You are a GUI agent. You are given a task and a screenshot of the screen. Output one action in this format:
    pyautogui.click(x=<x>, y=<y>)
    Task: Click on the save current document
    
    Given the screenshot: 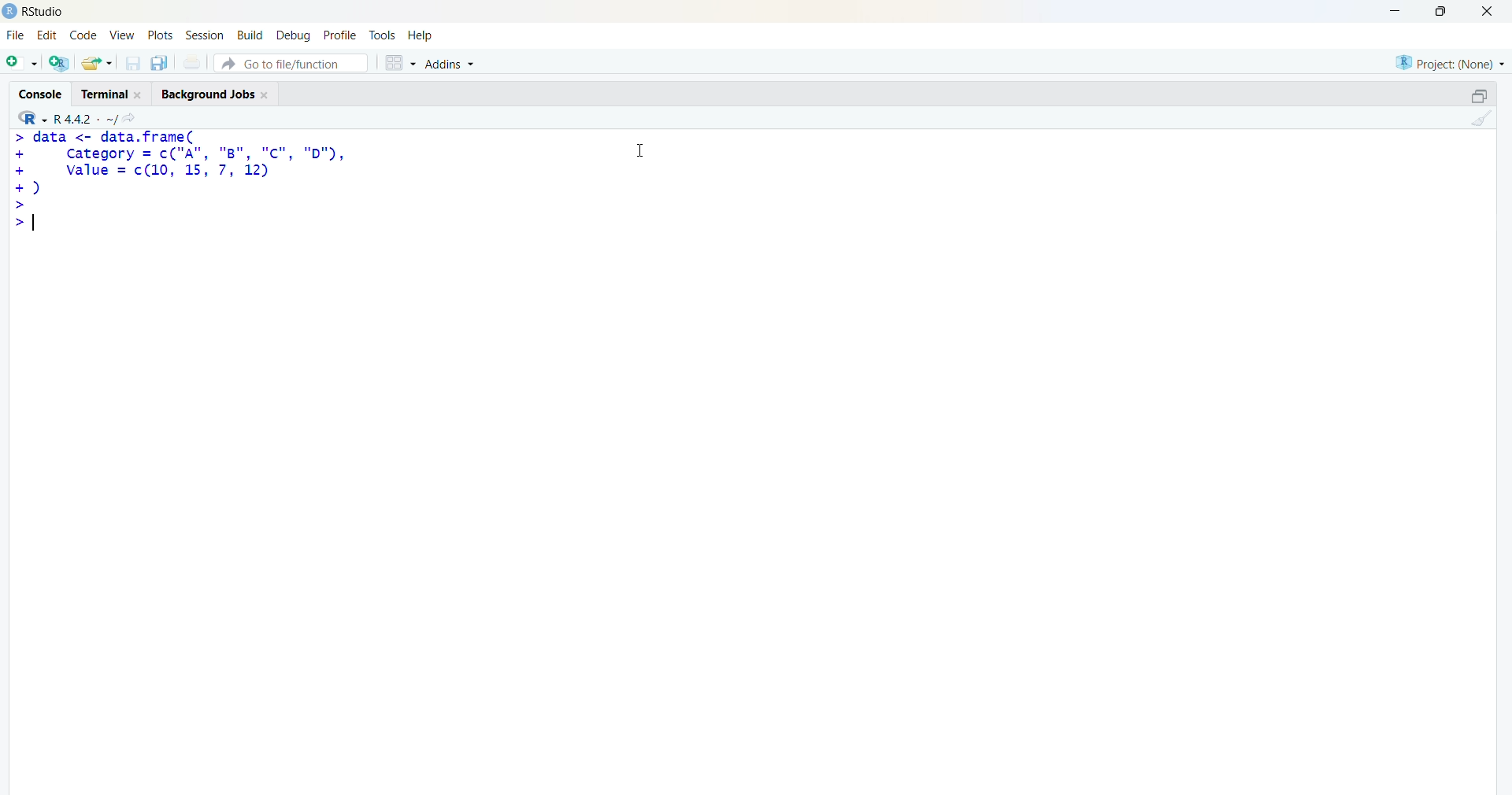 What is the action you would take?
    pyautogui.click(x=132, y=63)
    